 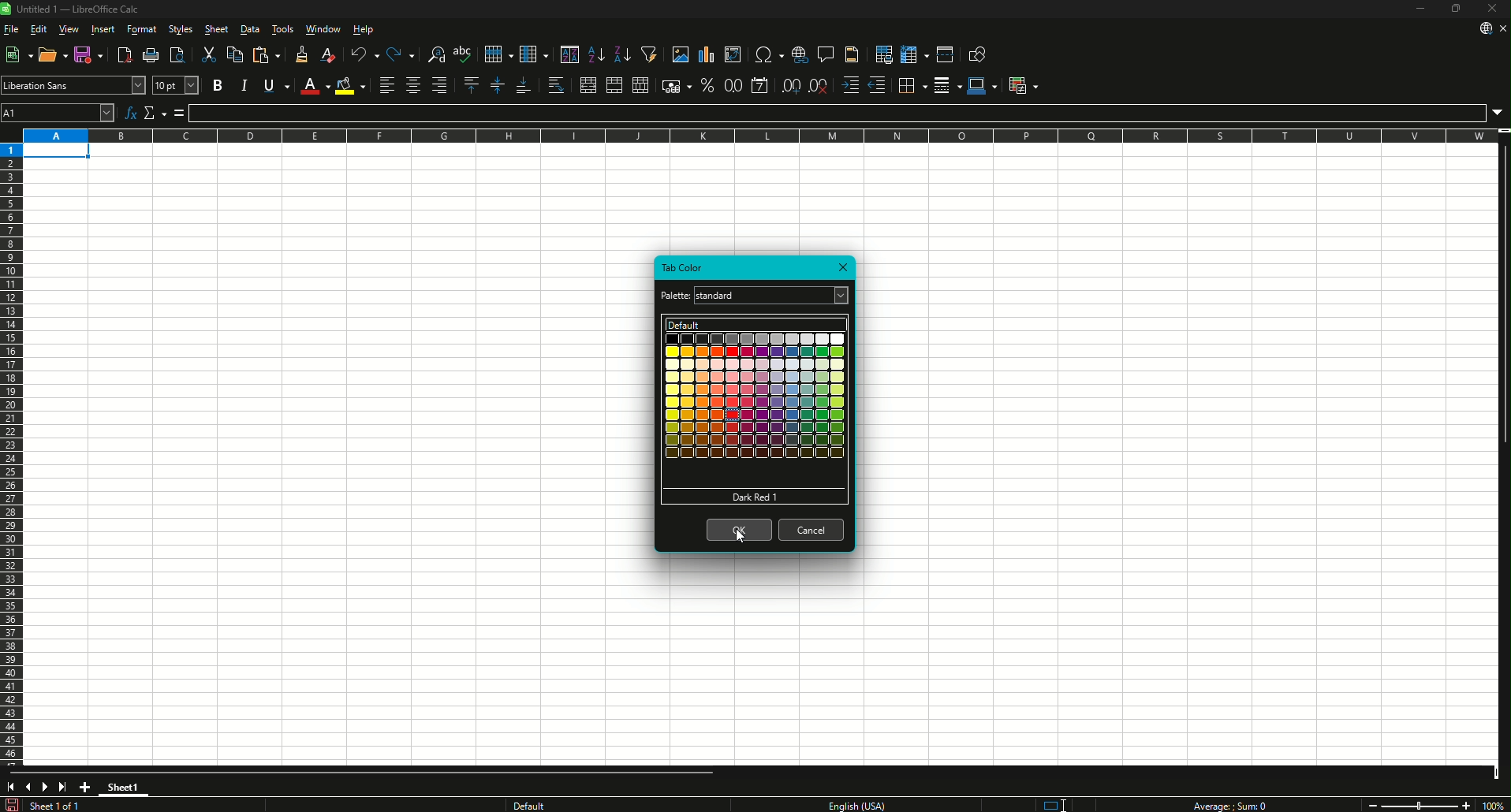 I want to click on Font Size, so click(x=176, y=85).